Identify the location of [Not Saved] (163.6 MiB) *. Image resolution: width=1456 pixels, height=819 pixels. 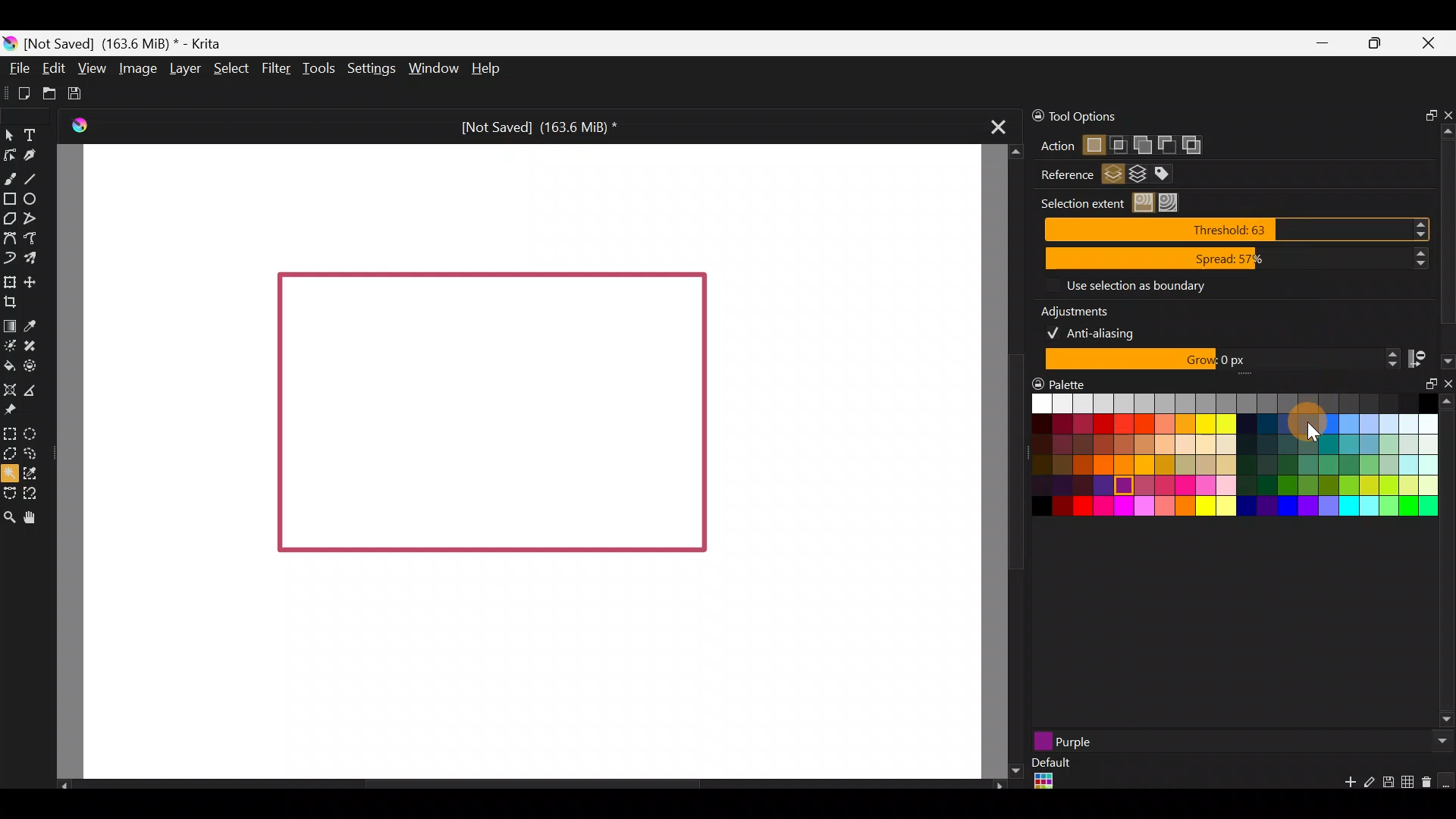
(537, 124).